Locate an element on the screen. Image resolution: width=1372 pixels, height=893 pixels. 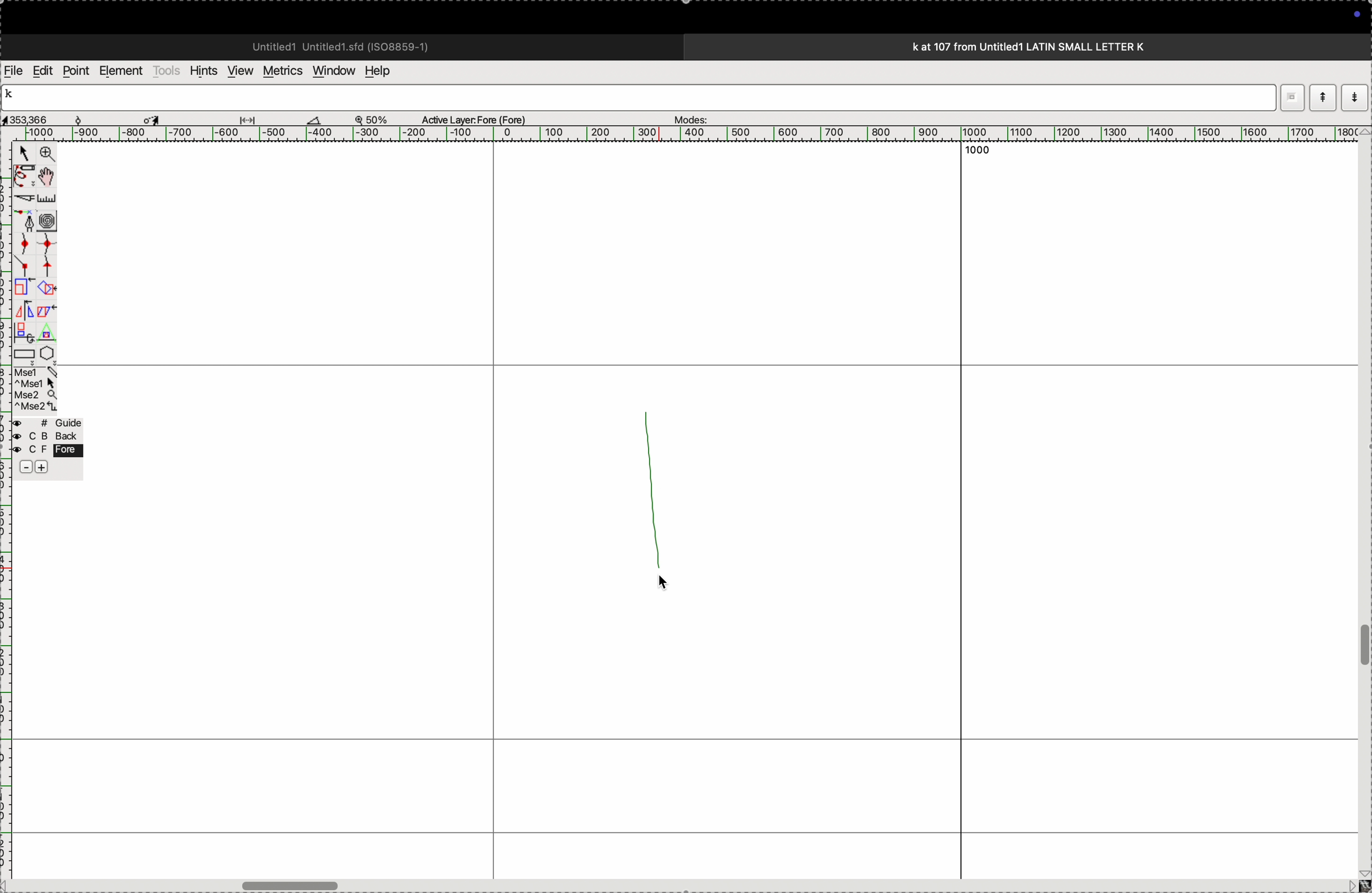
untitled std is located at coordinates (345, 46).